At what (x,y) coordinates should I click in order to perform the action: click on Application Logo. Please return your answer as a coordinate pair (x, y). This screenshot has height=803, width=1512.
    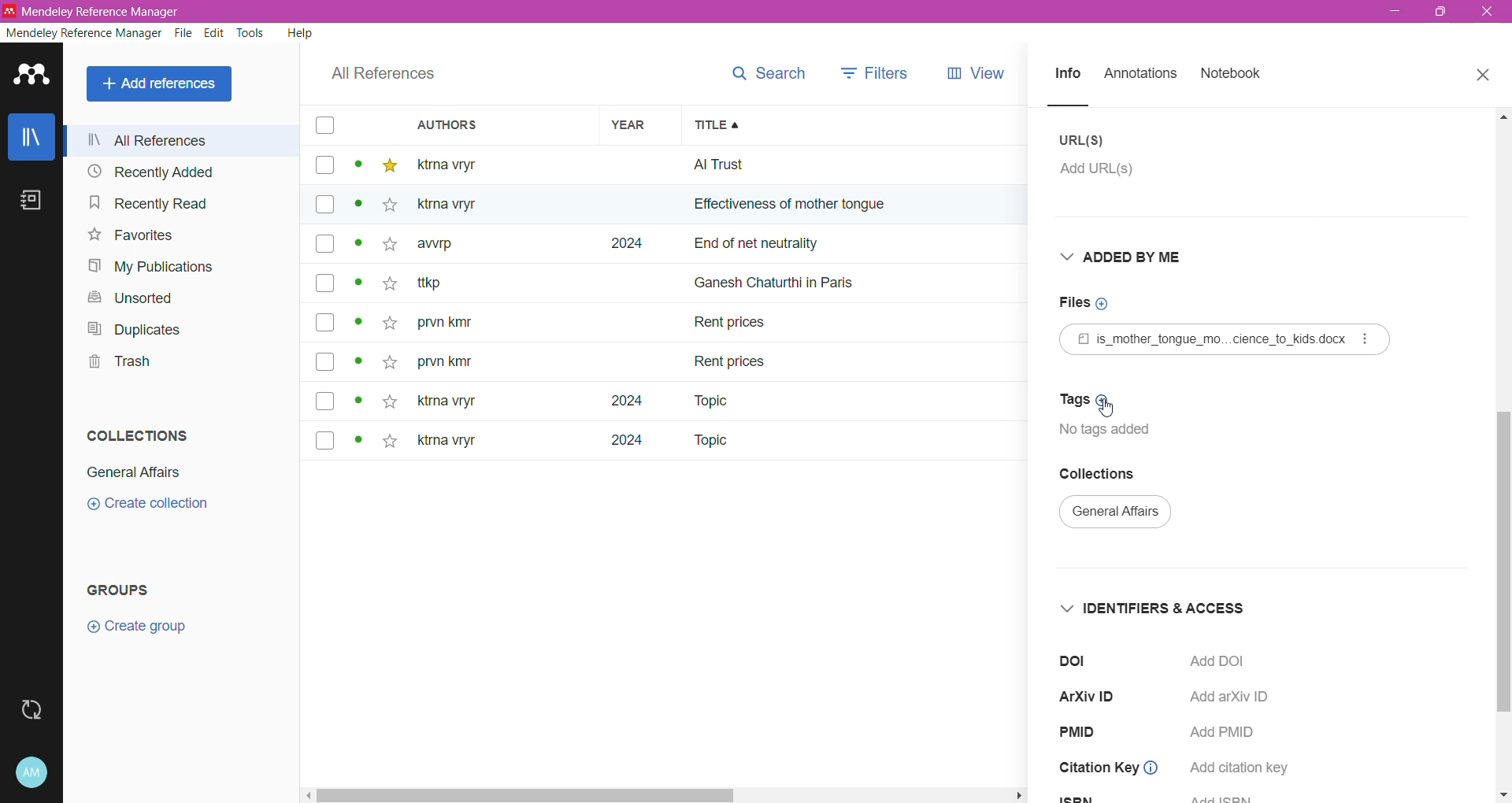
    Looking at the image, I should click on (32, 76).